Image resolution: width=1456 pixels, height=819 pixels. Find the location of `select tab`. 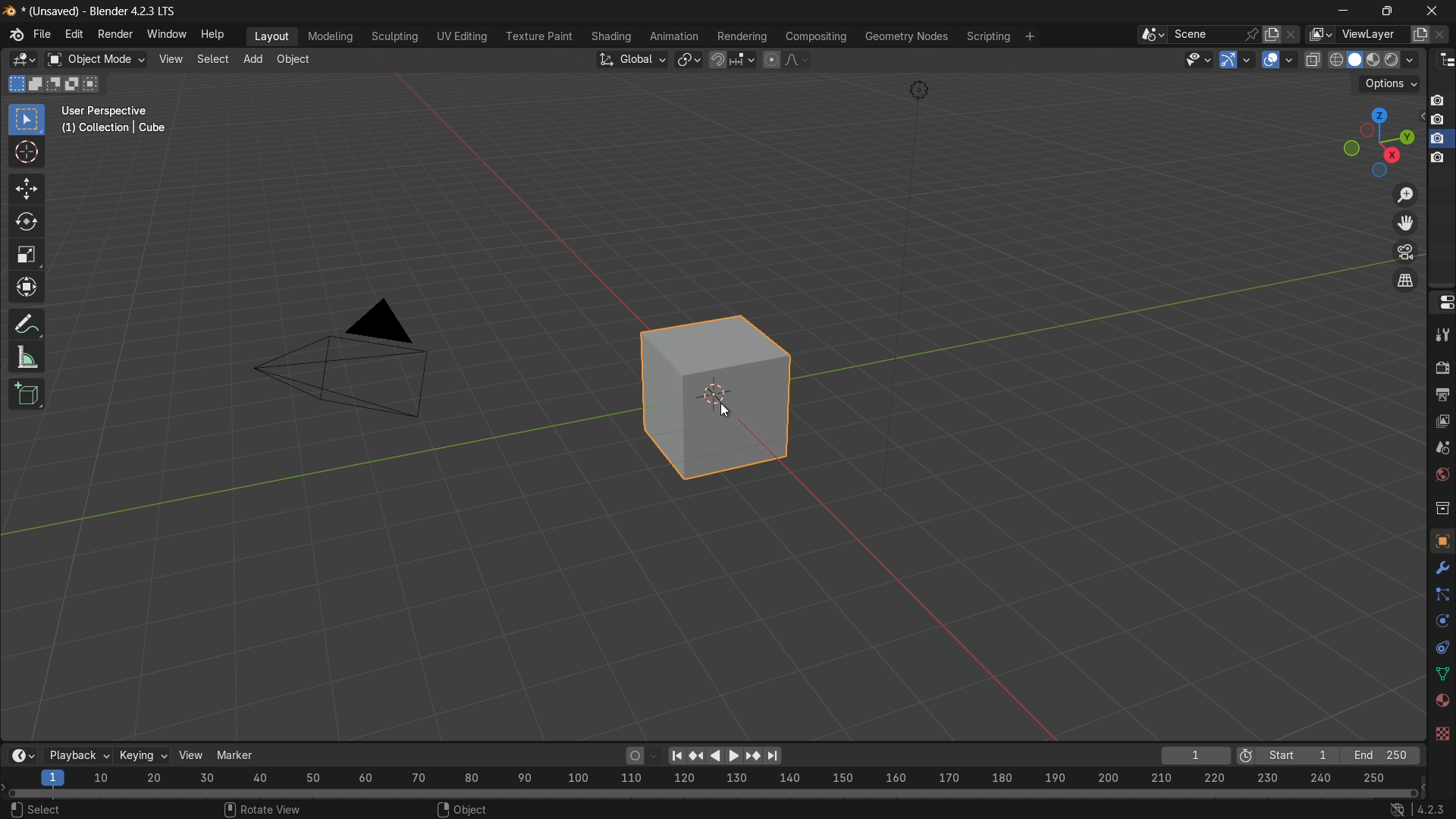

select tab is located at coordinates (215, 58).